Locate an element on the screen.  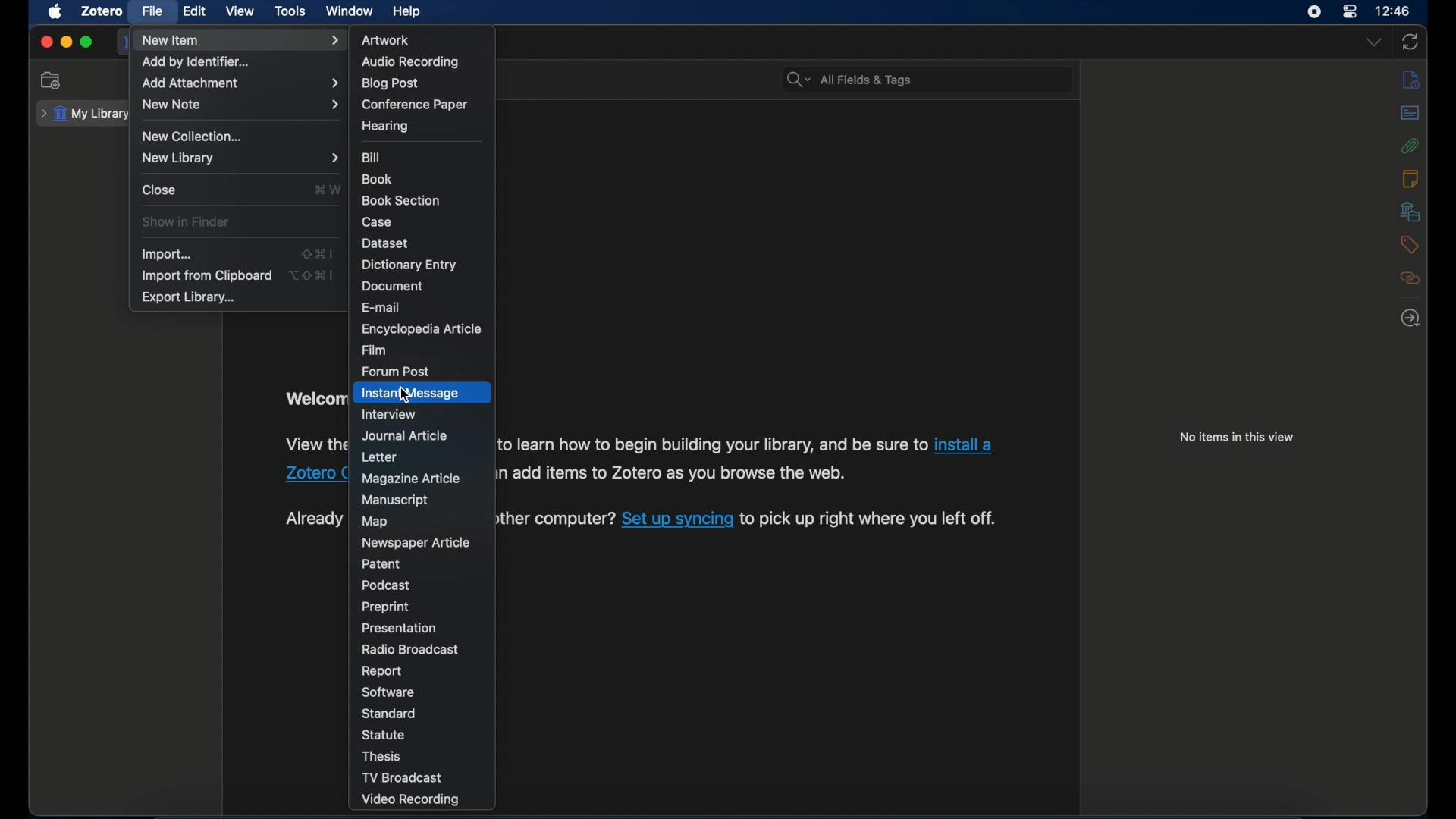
maximize is located at coordinates (86, 42).